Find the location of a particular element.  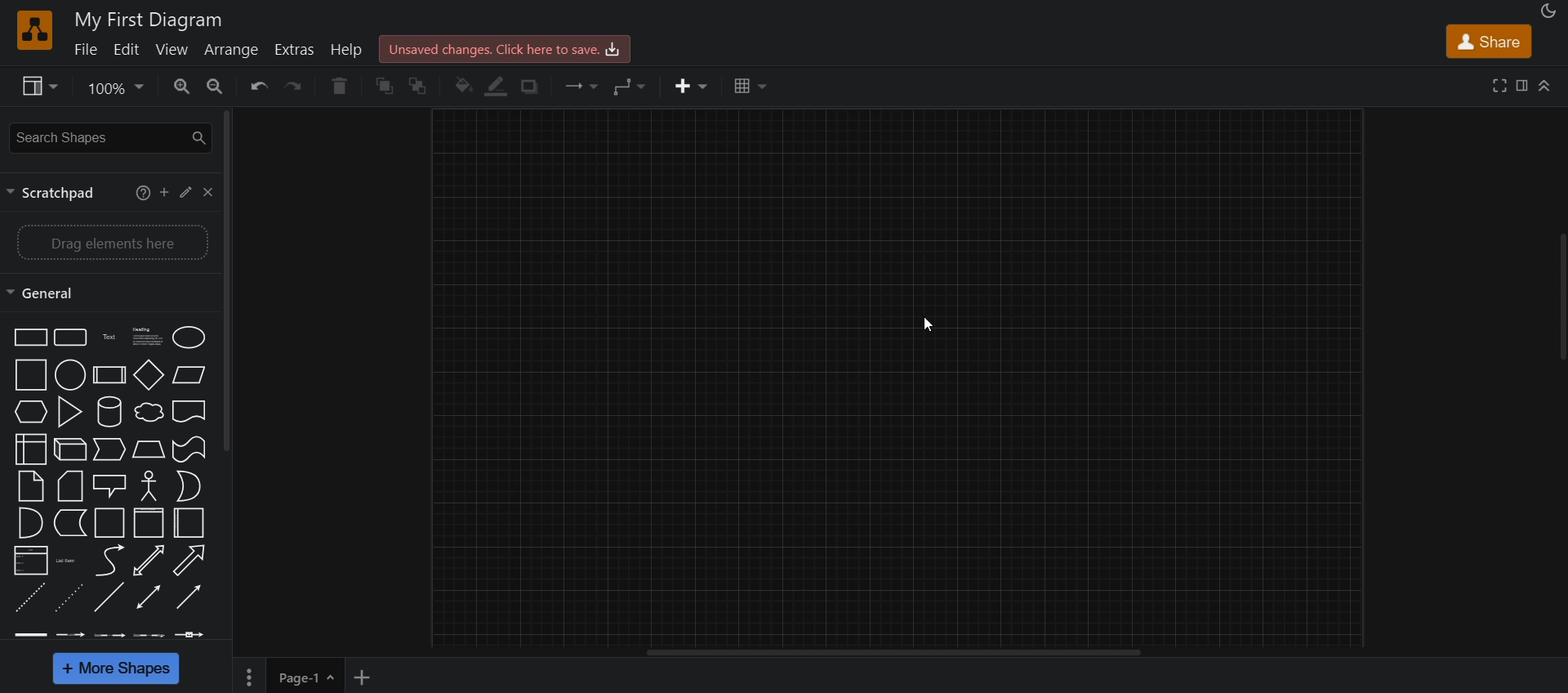

pages is located at coordinates (245, 677).